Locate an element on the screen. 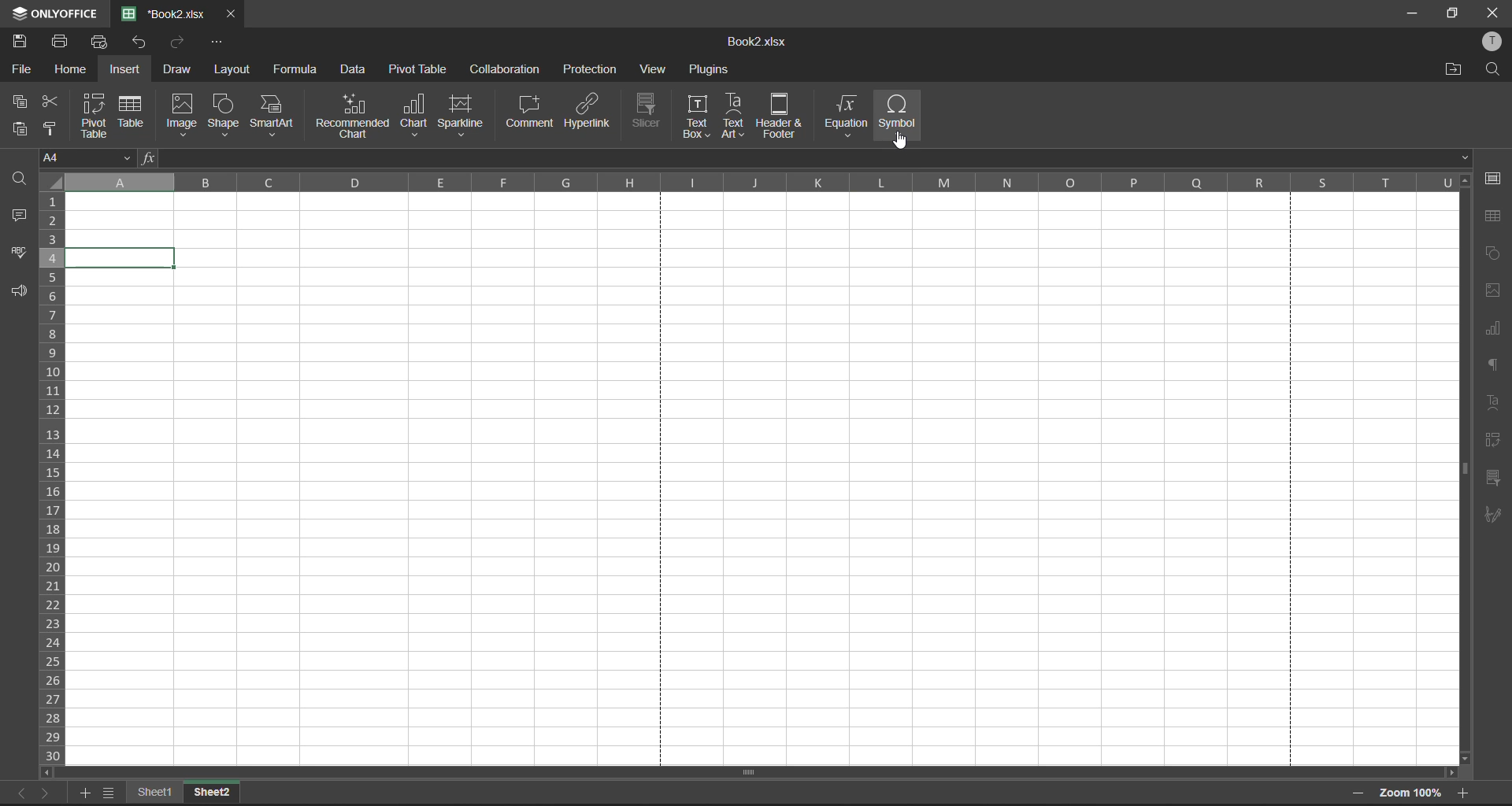 This screenshot has height=806, width=1512. slicer is located at coordinates (647, 113).